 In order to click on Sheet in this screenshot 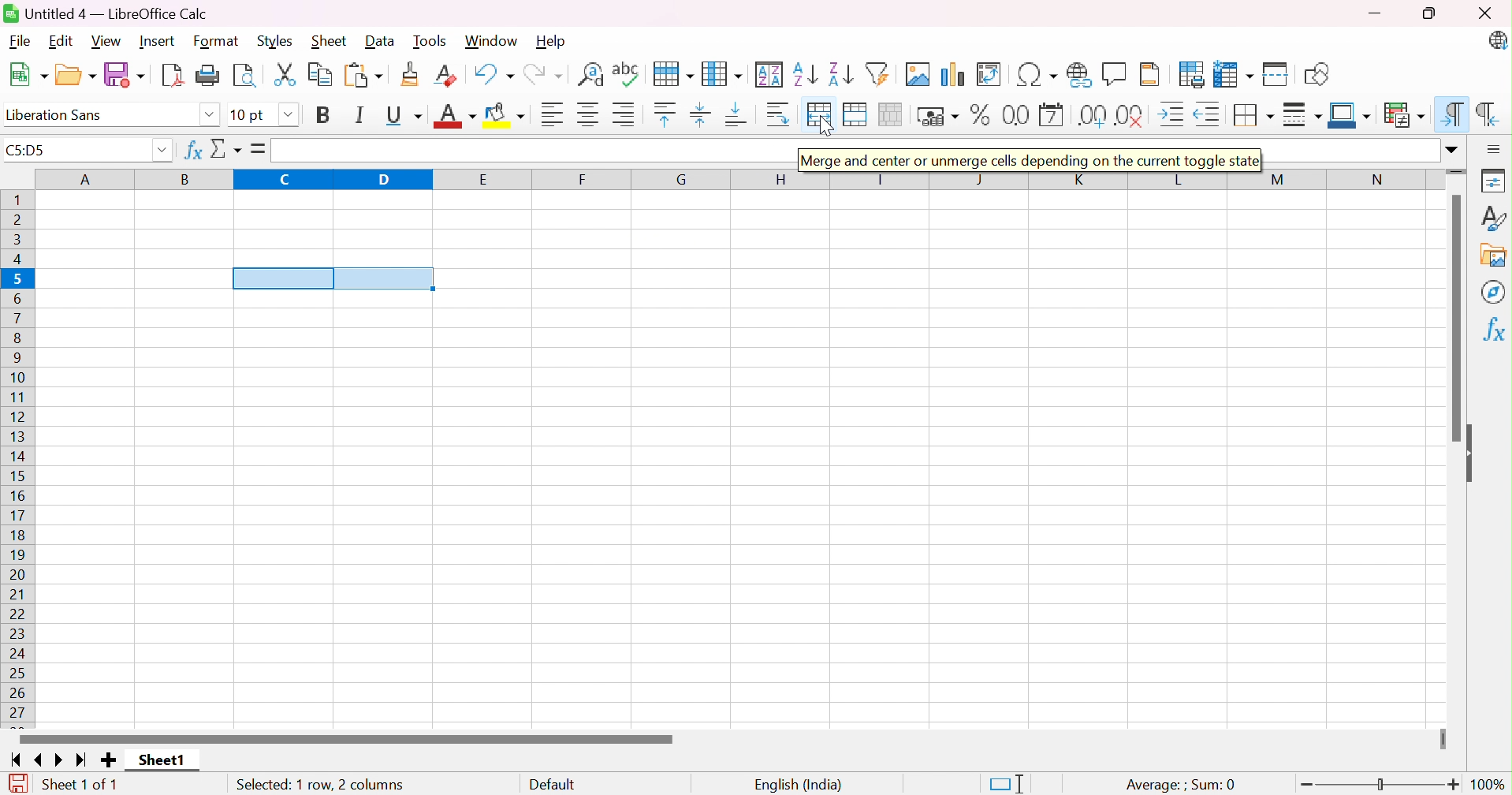, I will do `click(329, 41)`.